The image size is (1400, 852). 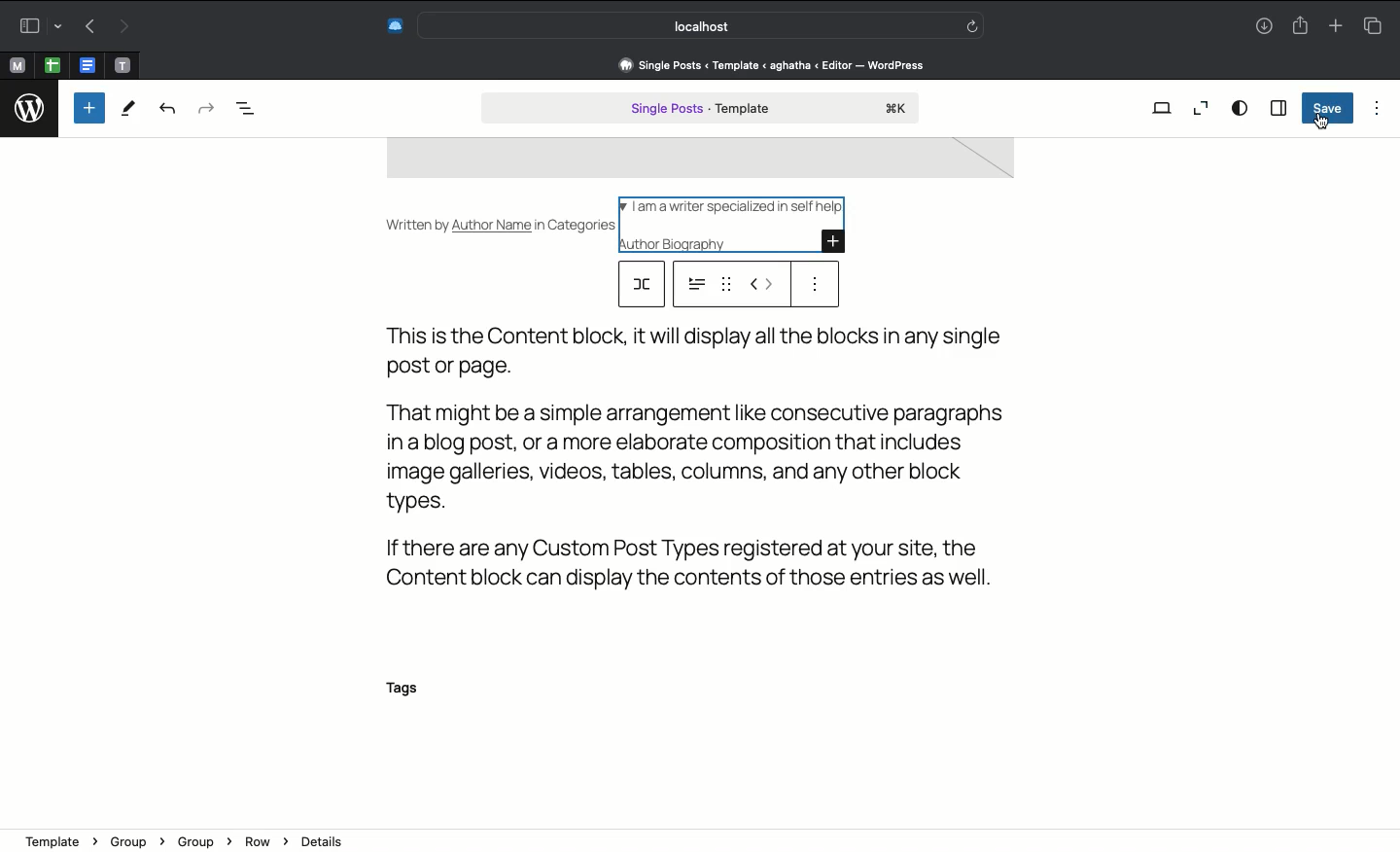 What do you see at coordinates (699, 160) in the screenshot?
I see `image` at bounding box center [699, 160].